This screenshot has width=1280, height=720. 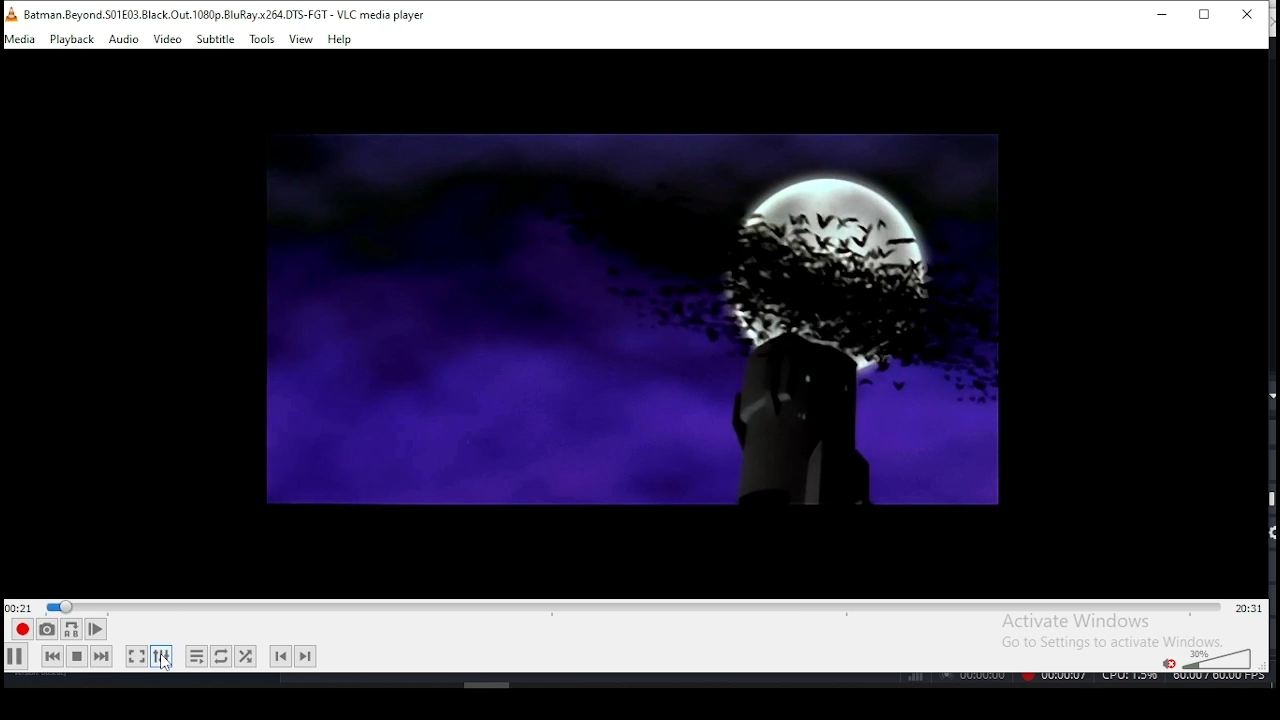 I want to click on subtitle, so click(x=216, y=40).